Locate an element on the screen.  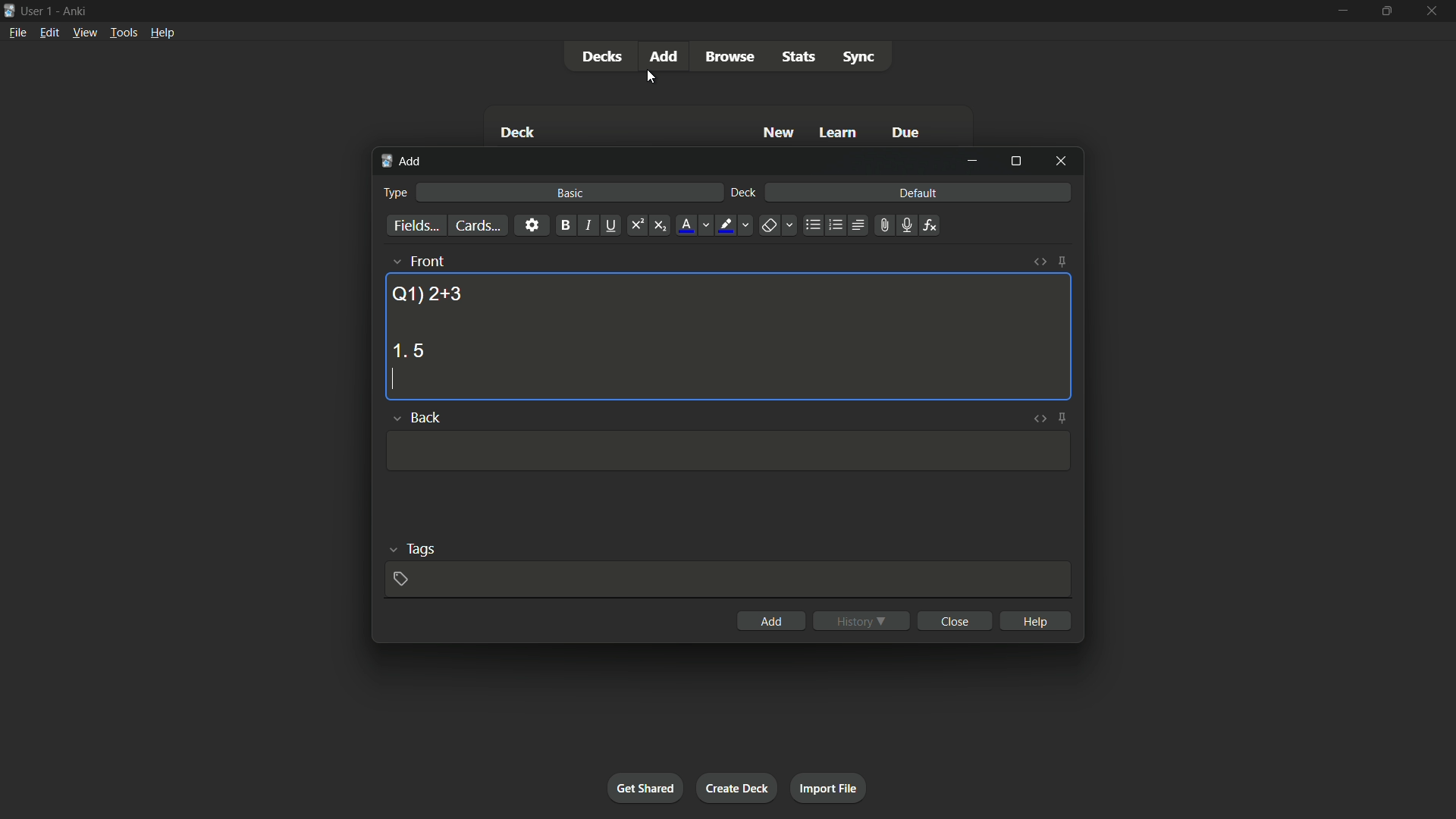
sync is located at coordinates (859, 58).